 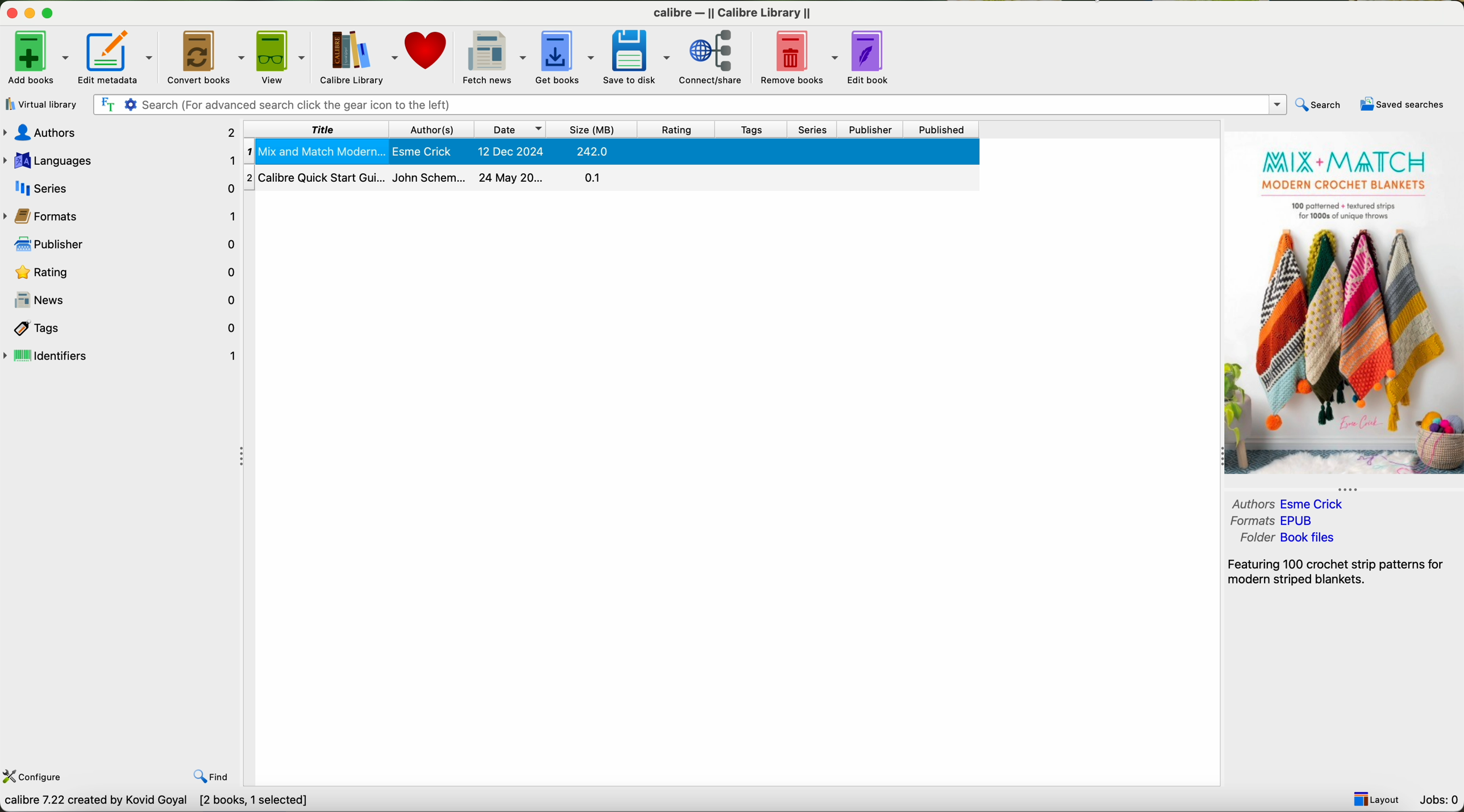 What do you see at coordinates (639, 56) in the screenshot?
I see `save to disk` at bounding box center [639, 56].